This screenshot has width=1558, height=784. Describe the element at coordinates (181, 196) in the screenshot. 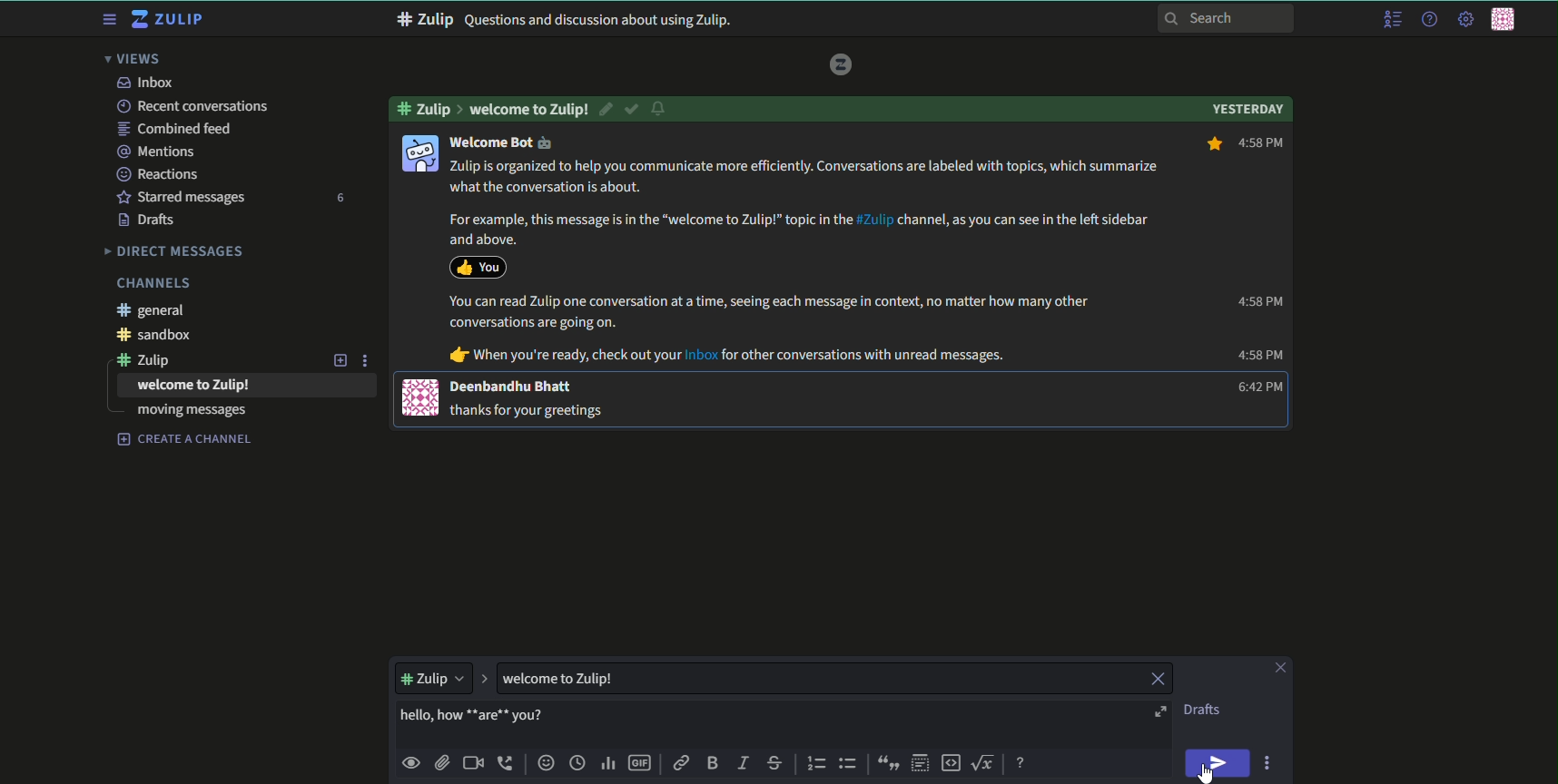

I see `starred messages` at that location.